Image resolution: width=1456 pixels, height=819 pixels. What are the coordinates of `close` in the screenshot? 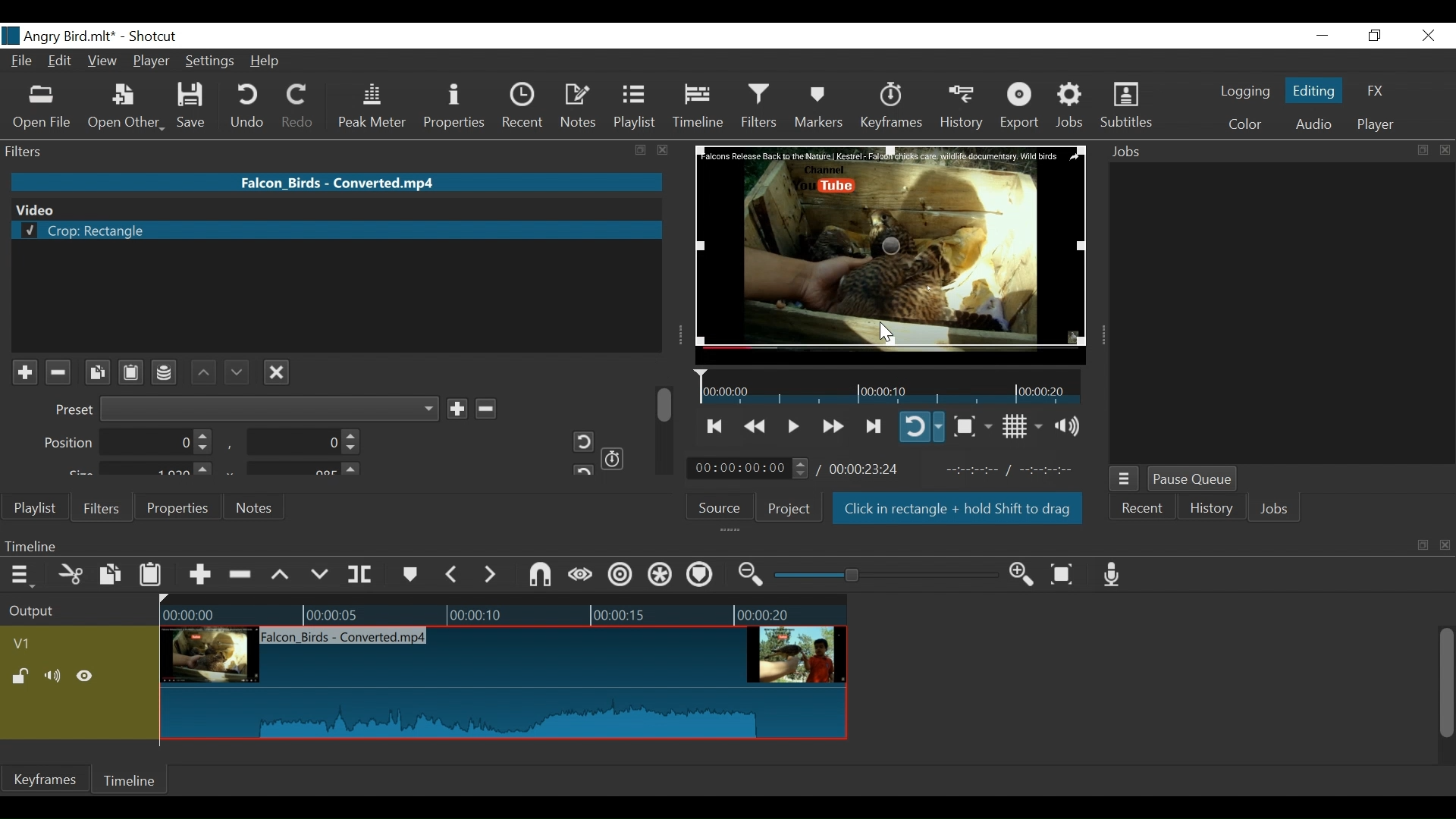 It's located at (664, 150).